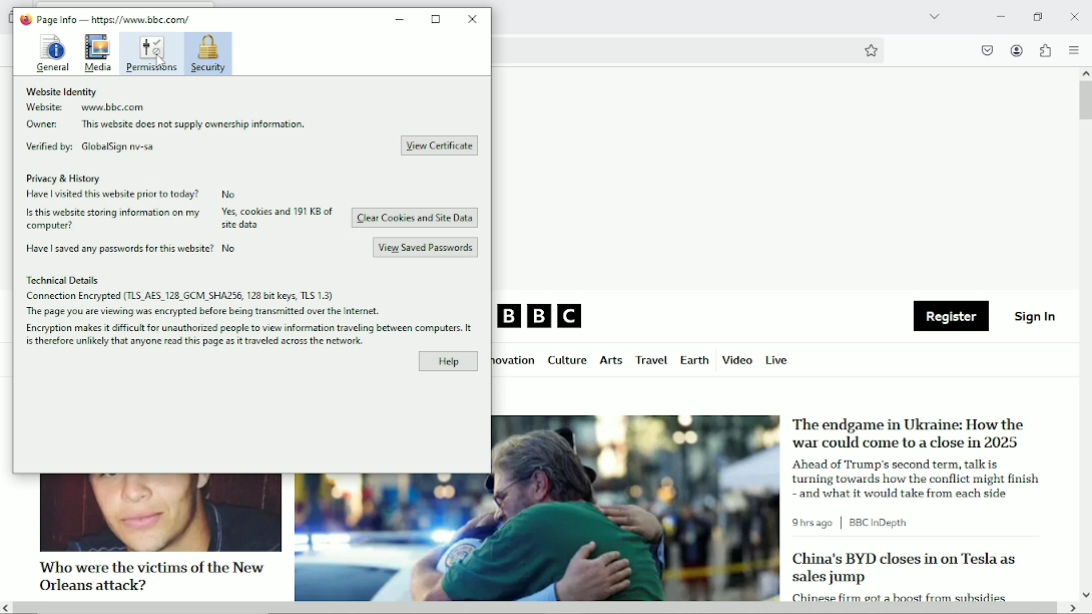 Image resolution: width=1092 pixels, height=614 pixels. What do you see at coordinates (152, 54) in the screenshot?
I see `Permissions` at bounding box center [152, 54].